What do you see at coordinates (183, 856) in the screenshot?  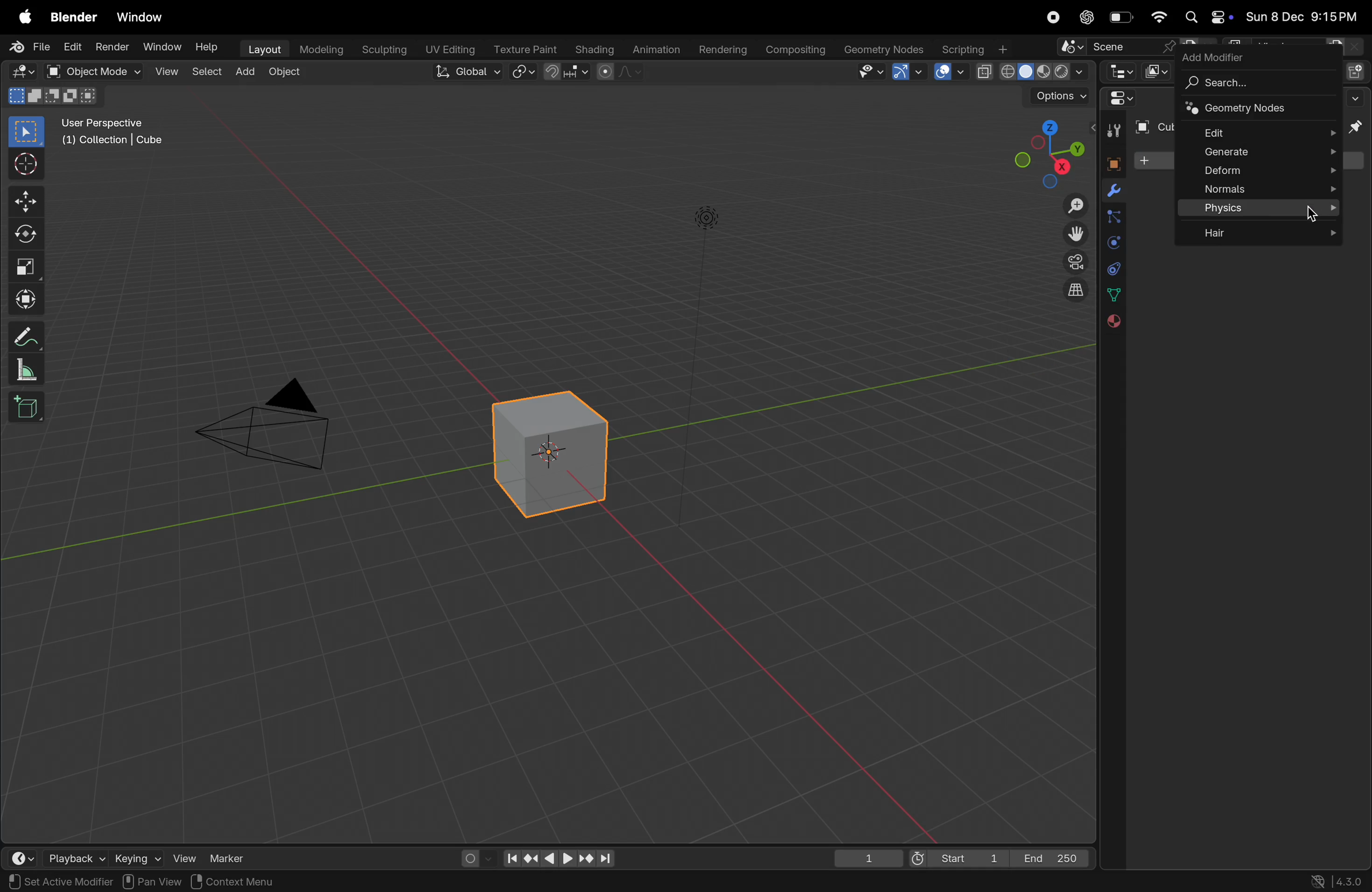 I see `view` at bounding box center [183, 856].